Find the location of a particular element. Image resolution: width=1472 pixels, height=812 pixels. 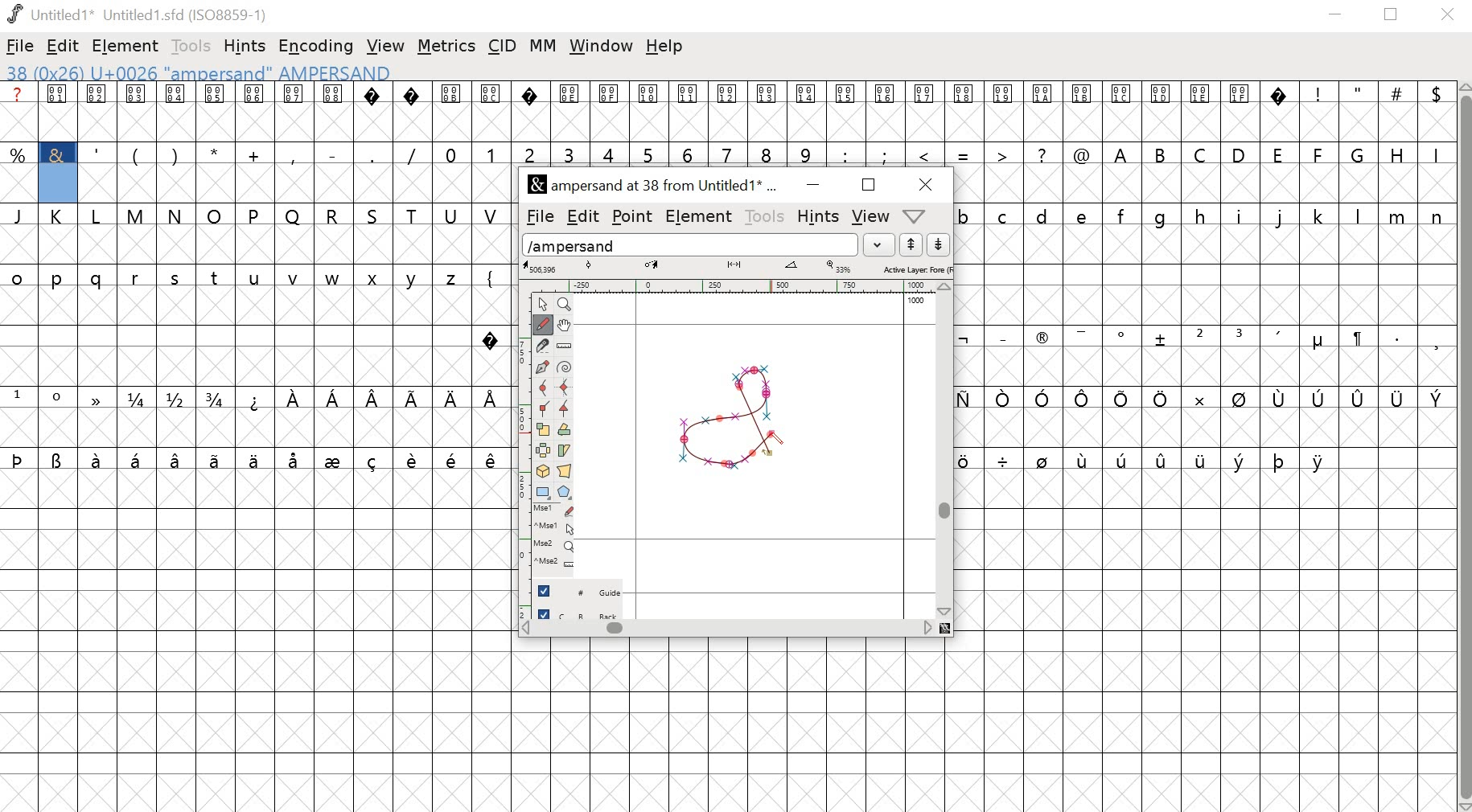

symbol is located at coordinates (1201, 459).